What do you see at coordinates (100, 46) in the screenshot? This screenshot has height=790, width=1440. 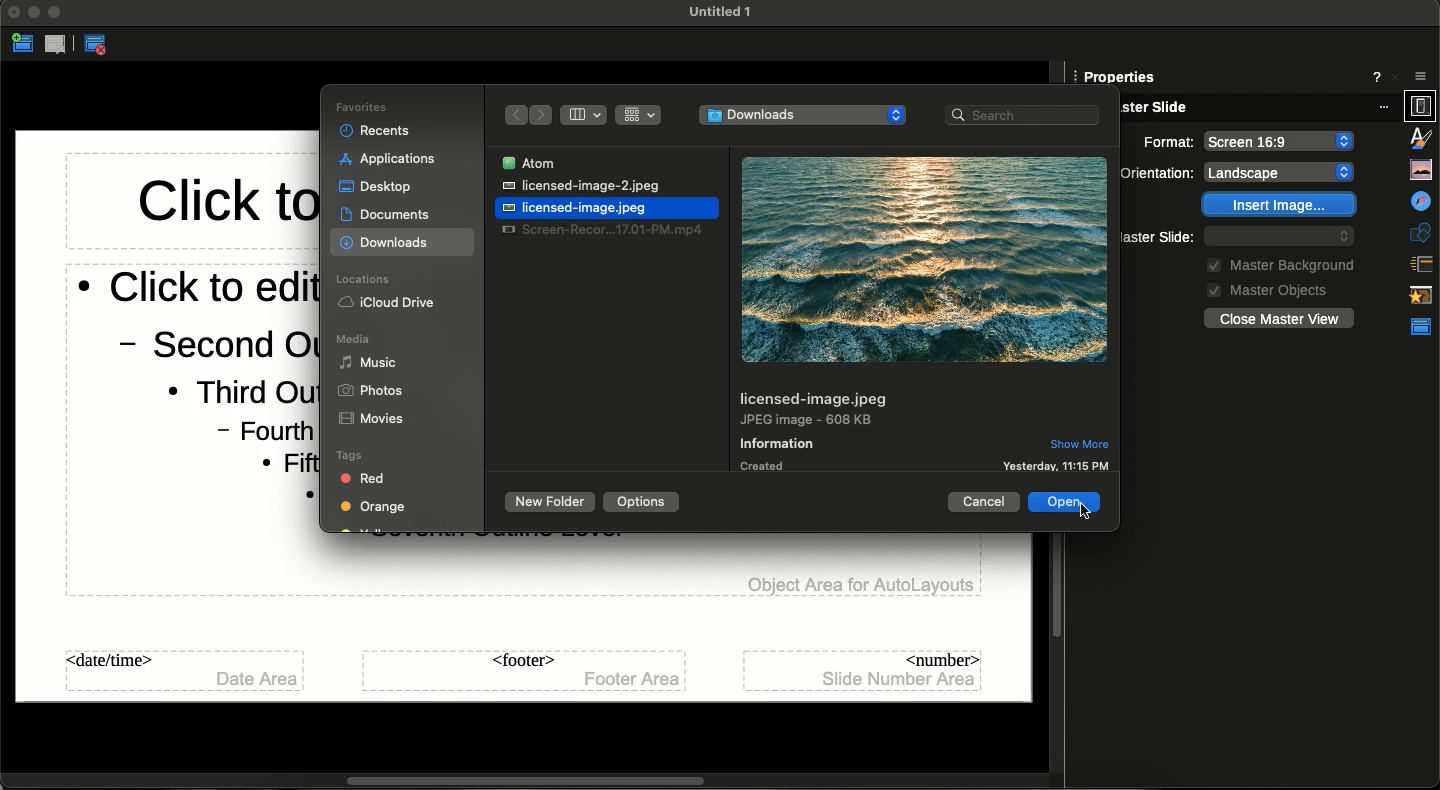 I see `Close master view` at bounding box center [100, 46].